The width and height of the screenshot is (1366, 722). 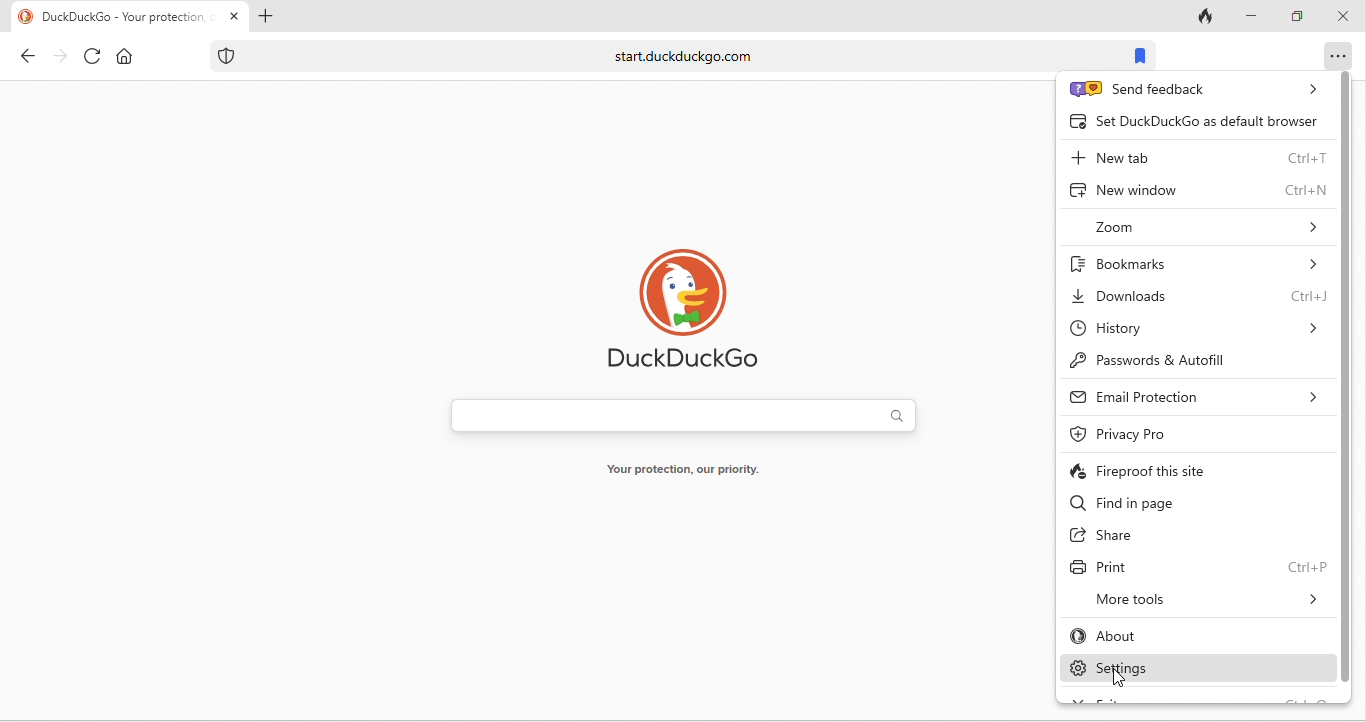 I want to click on bookmarks, so click(x=1200, y=260).